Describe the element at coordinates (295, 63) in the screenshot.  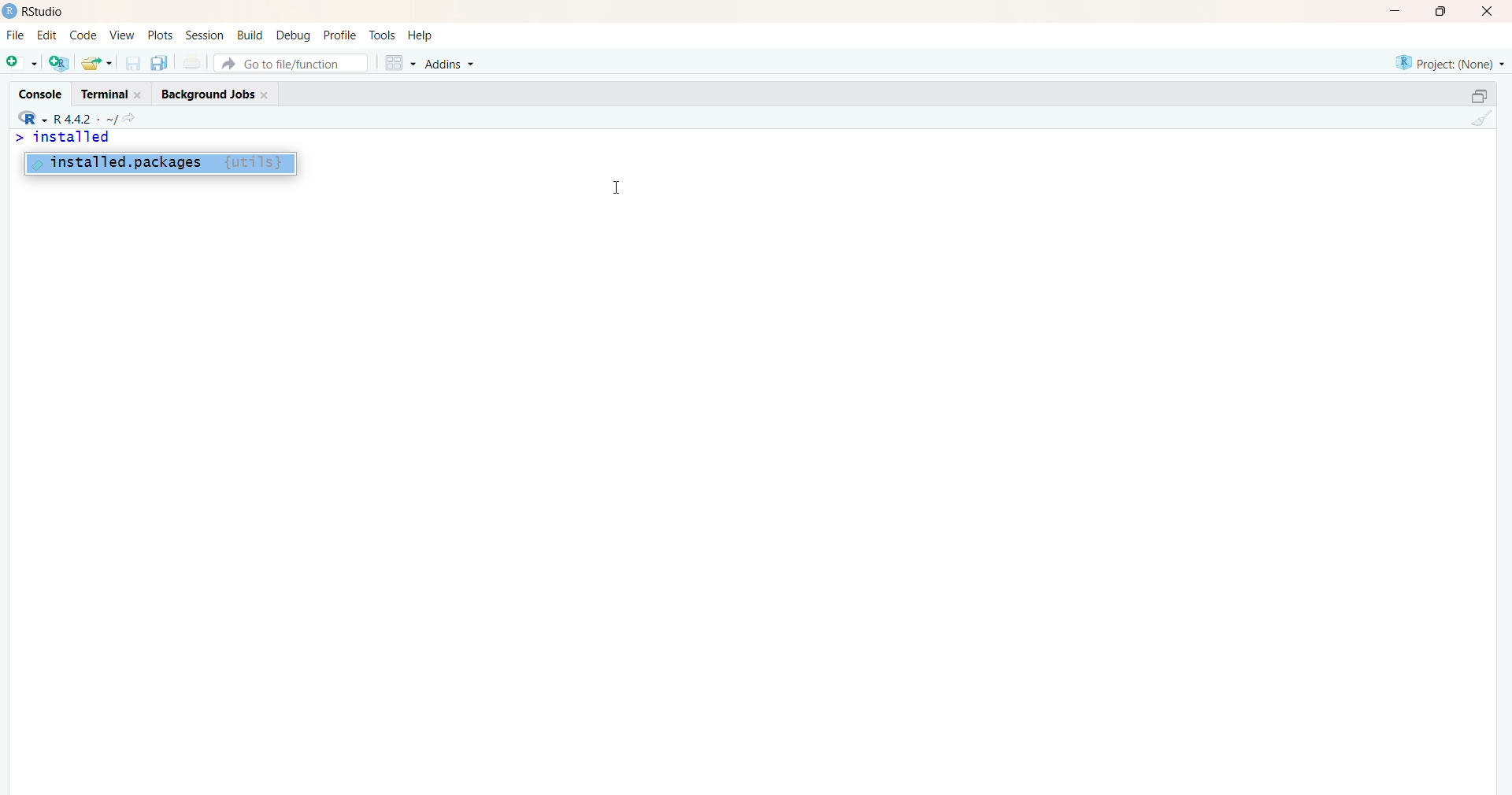
I see `Go to file/function` at that location.